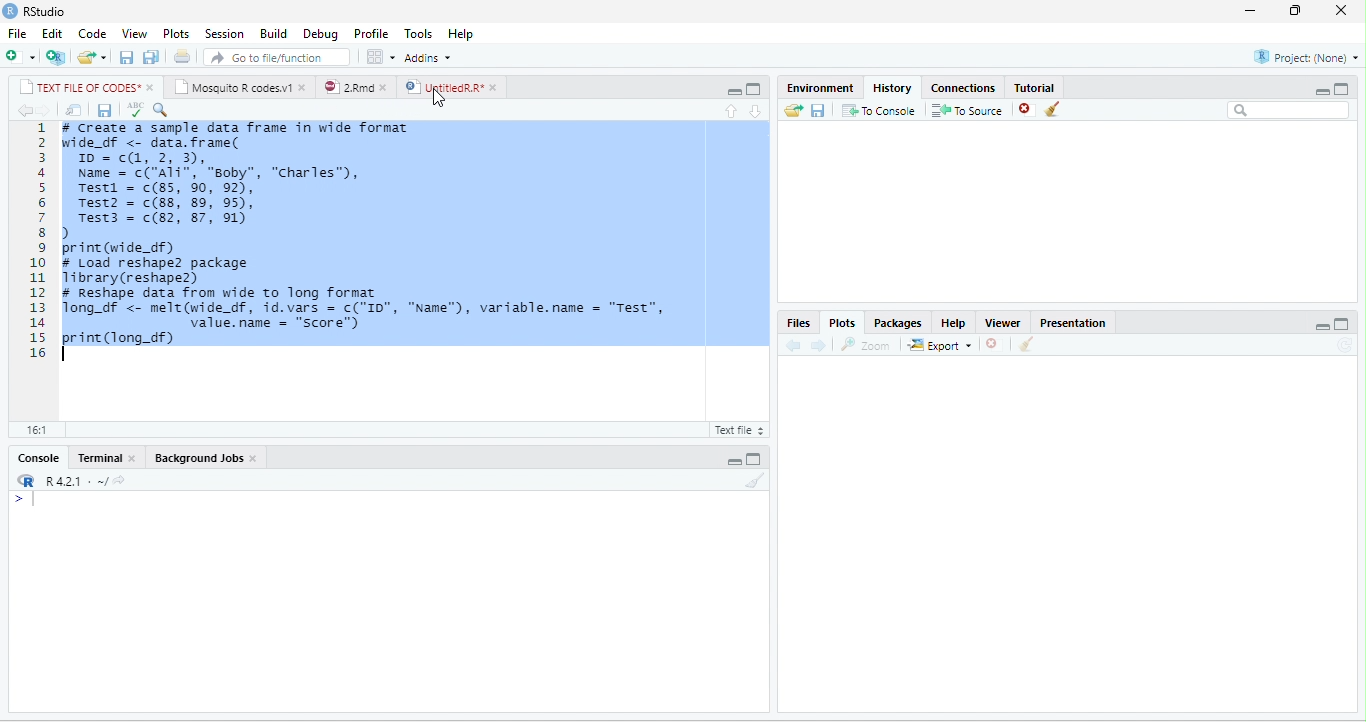 Image resolution: width=1366 pixels, height=722 pixels. What do you see at coordinates (1345, 345) in the screenshot?
I see `refresh` at bounding box center [1345, 345].